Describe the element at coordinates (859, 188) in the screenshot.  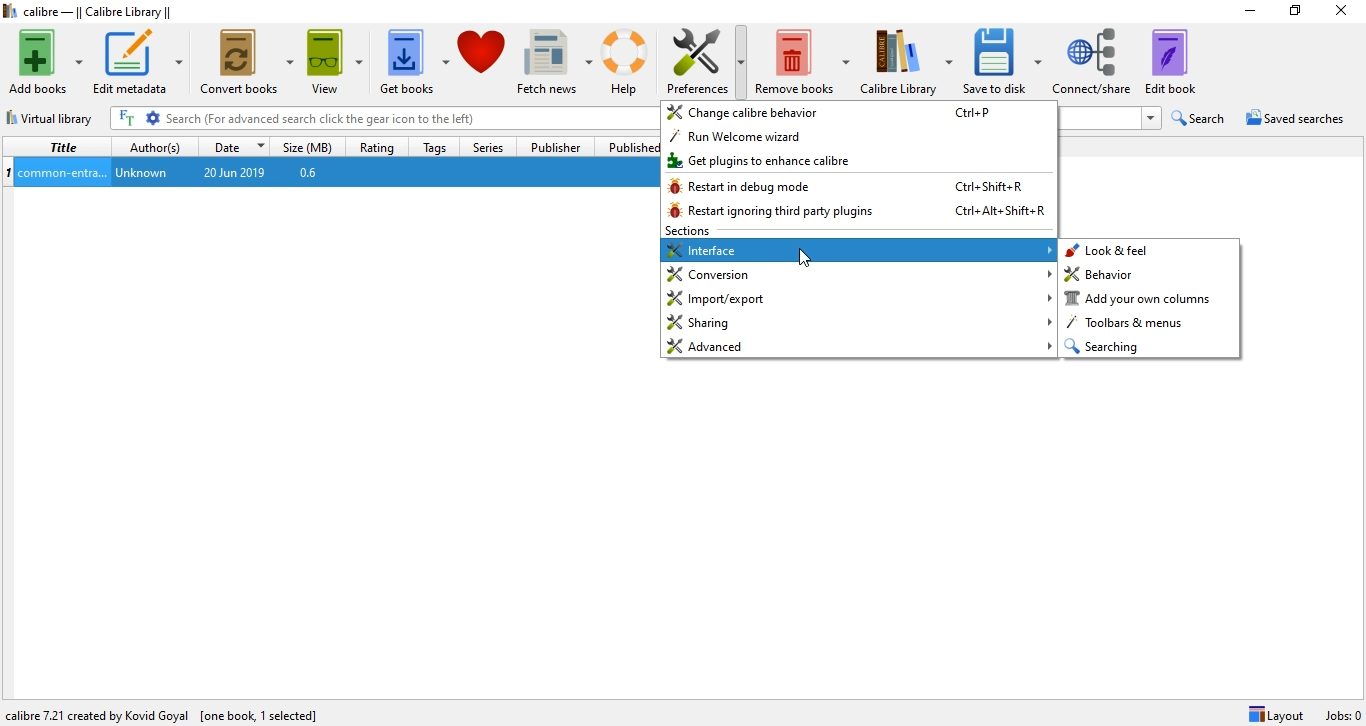
I see `restart in debug mode` at that location.